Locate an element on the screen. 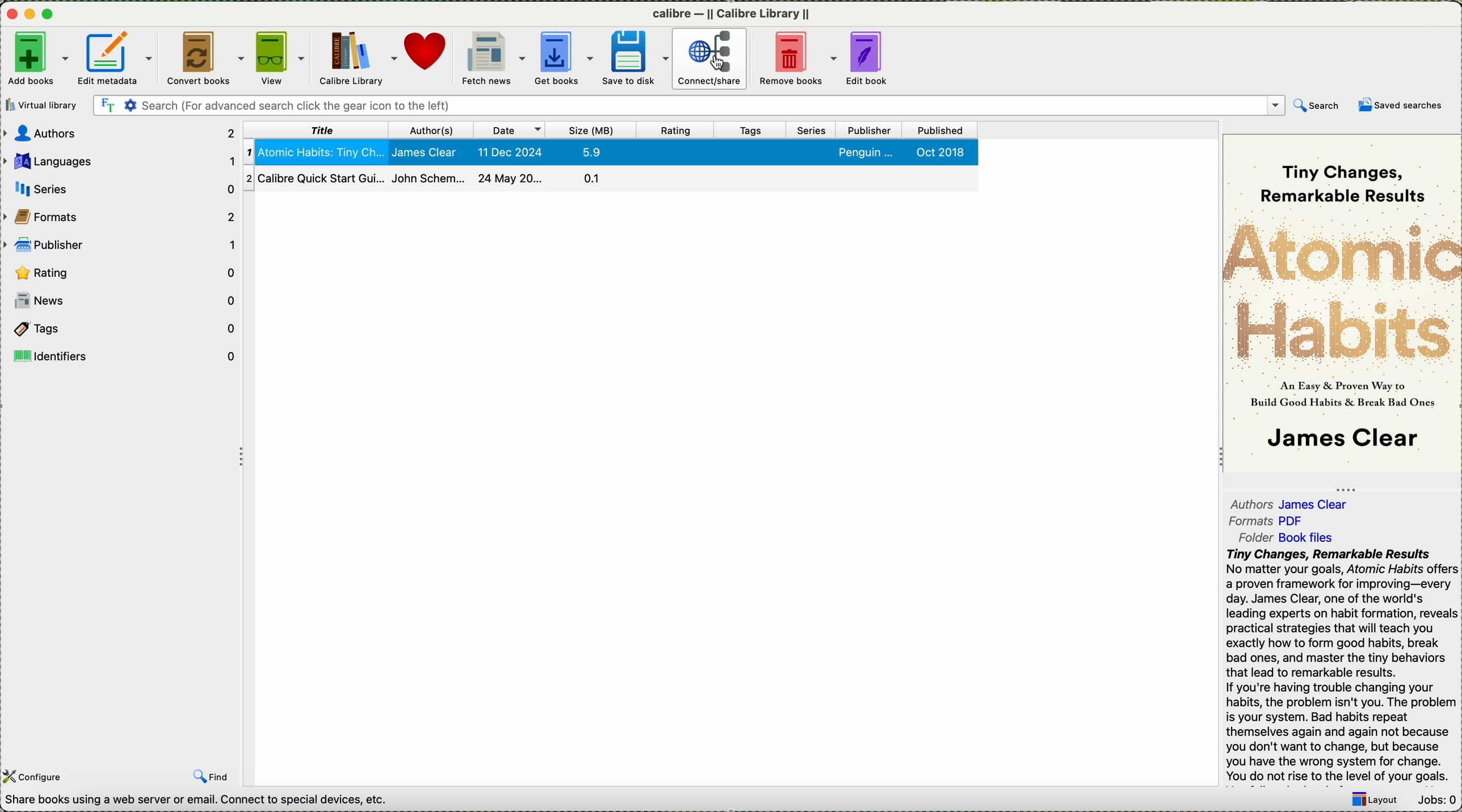 This screenshot has width=1462, height=812. format is located at coordinates (1269, 522).